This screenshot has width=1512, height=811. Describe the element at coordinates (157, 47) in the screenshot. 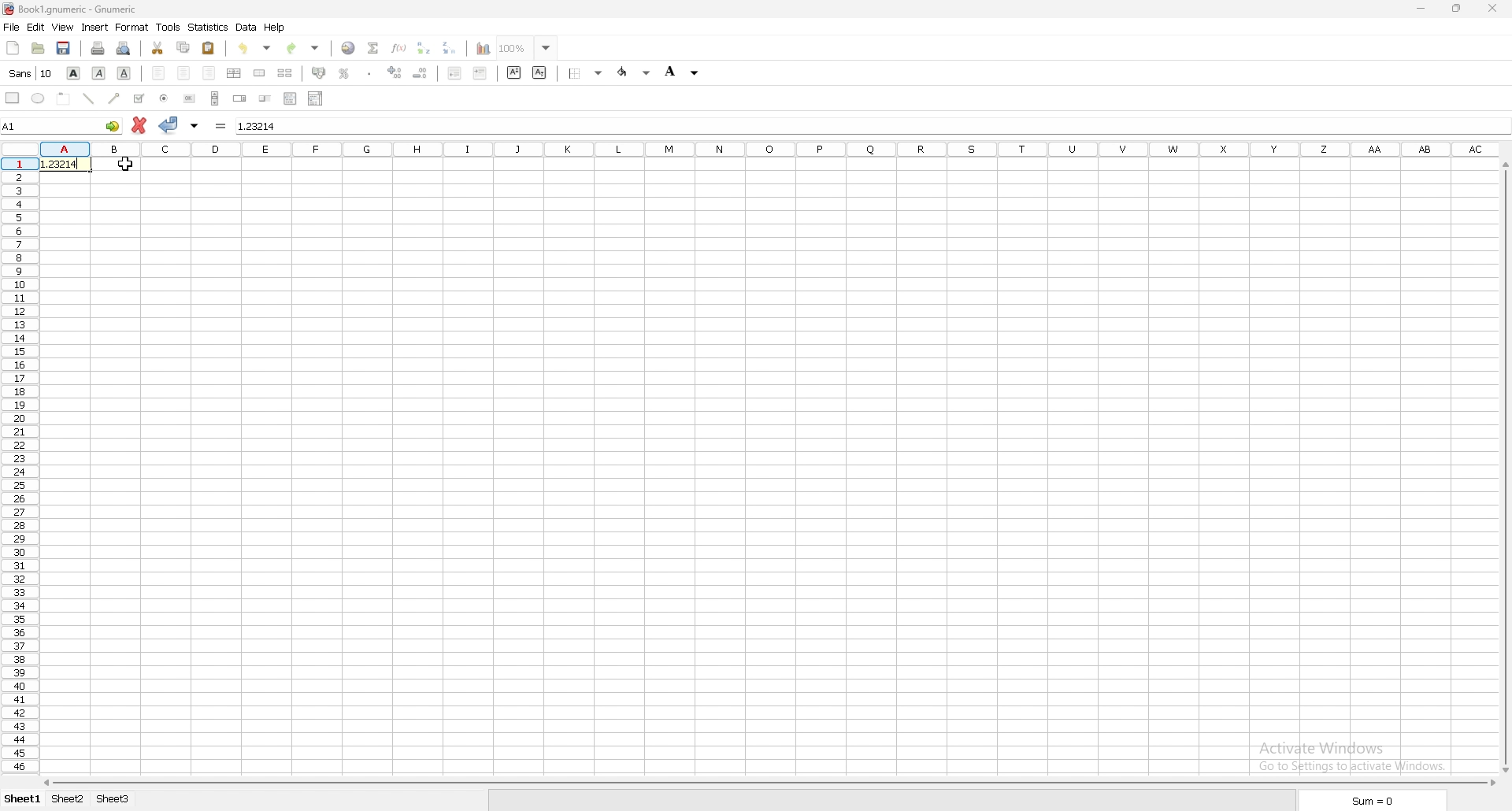

I see `cut` at that location.